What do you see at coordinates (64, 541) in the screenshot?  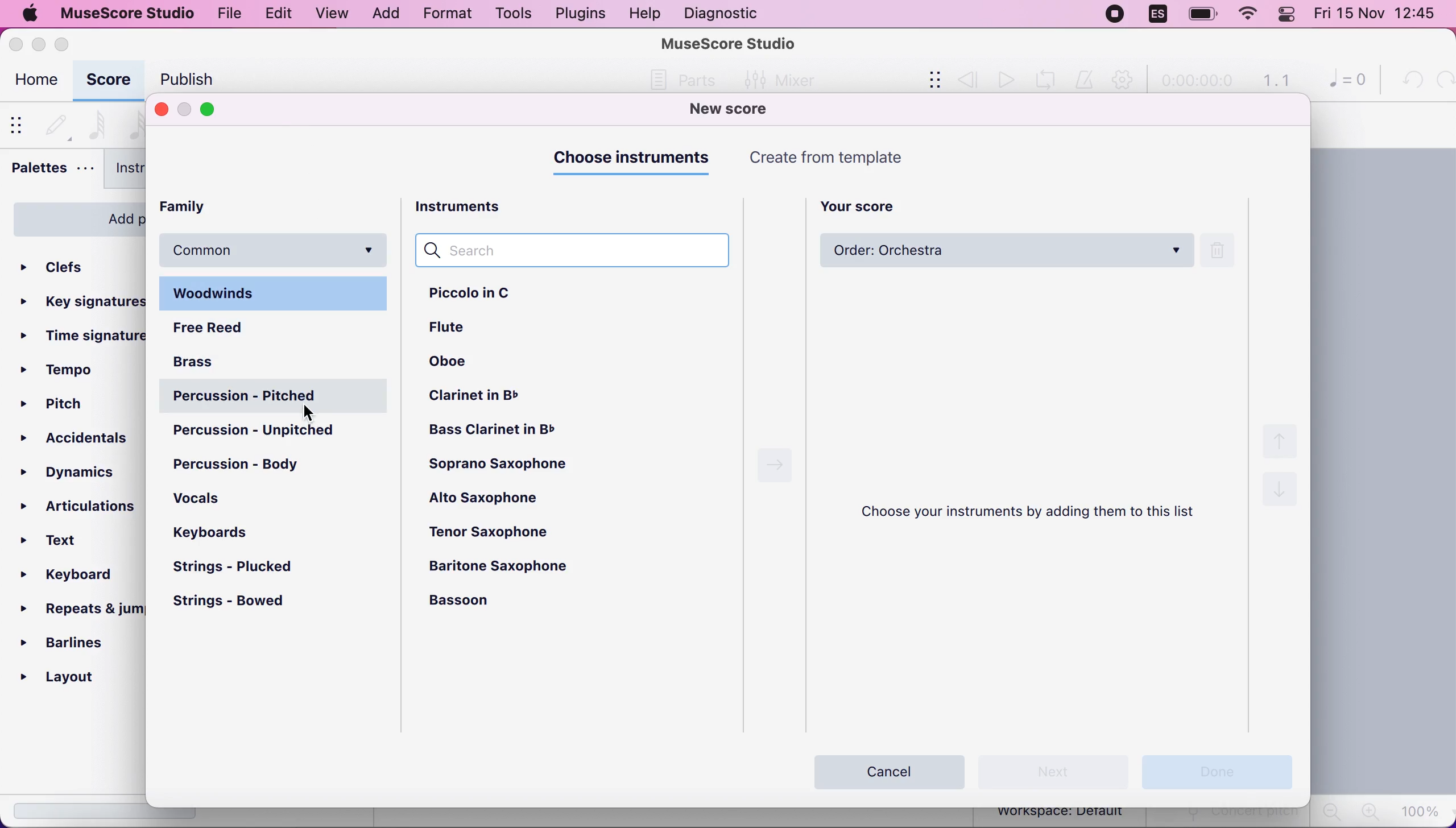 I see `text` at bounding box center [64, 541].